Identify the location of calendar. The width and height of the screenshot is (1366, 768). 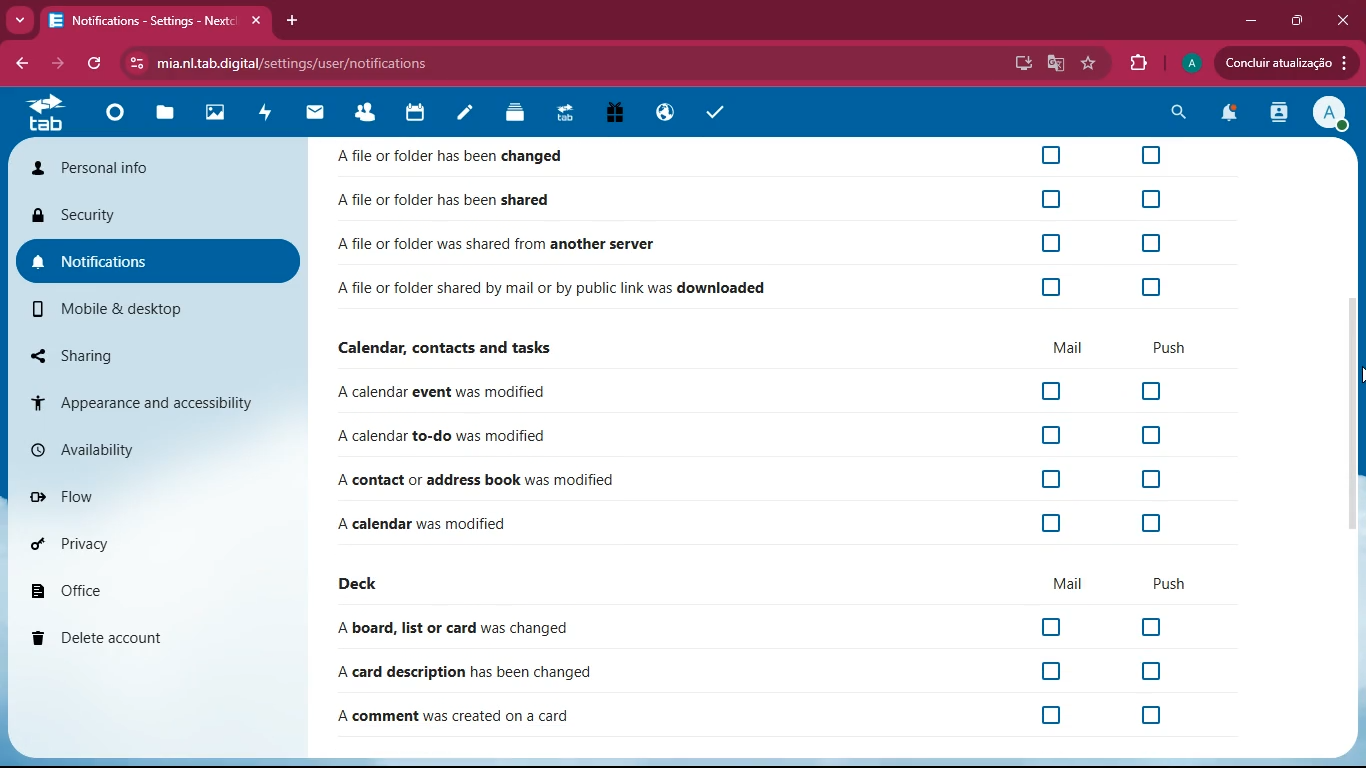
(421, 113).